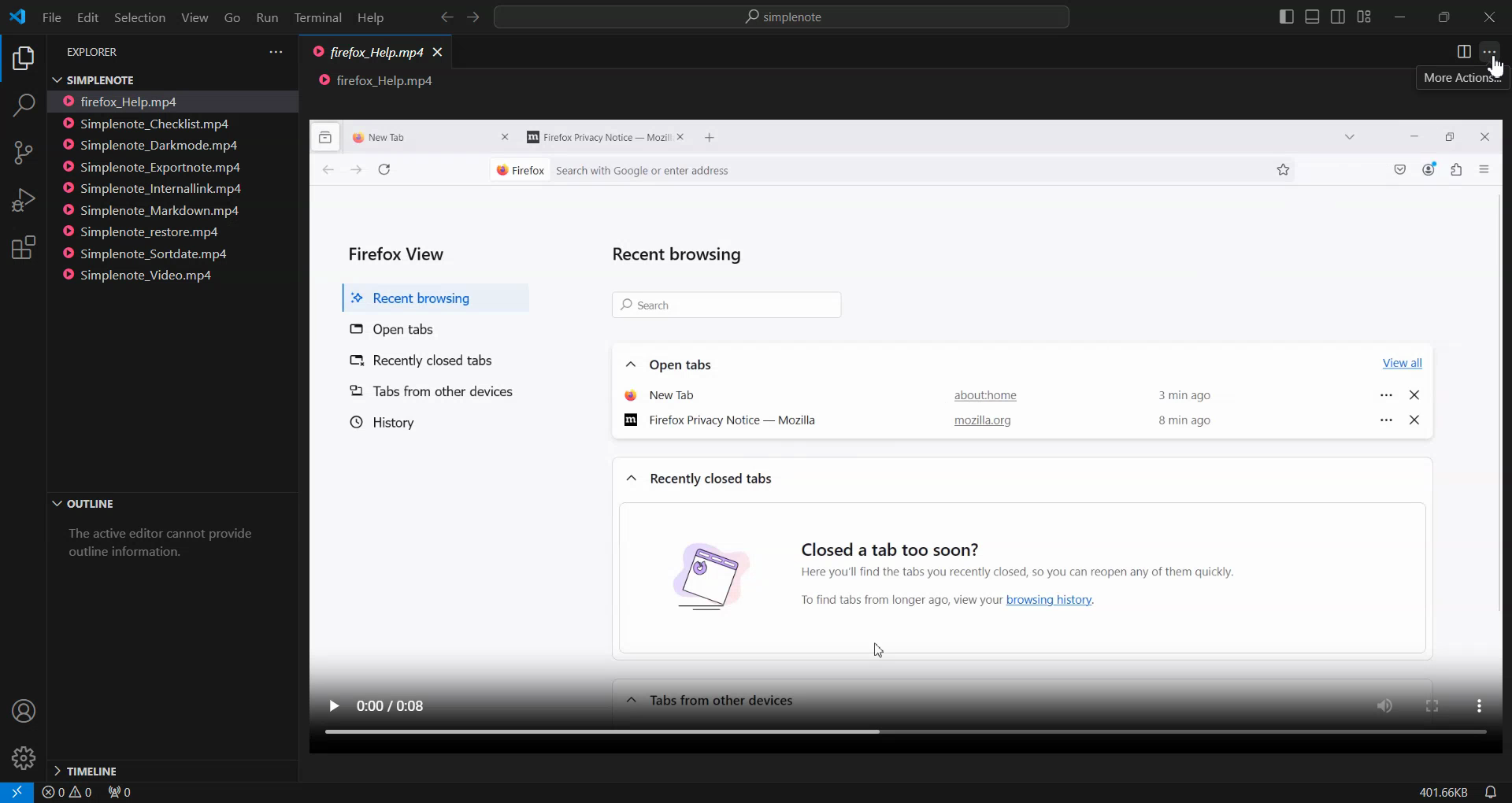 This screenshot has width=1512, height=803. What do you see at coordinates (1363, 17) in the screenshot?
I see `Customize layout ` at bounding box center [1363, 17].